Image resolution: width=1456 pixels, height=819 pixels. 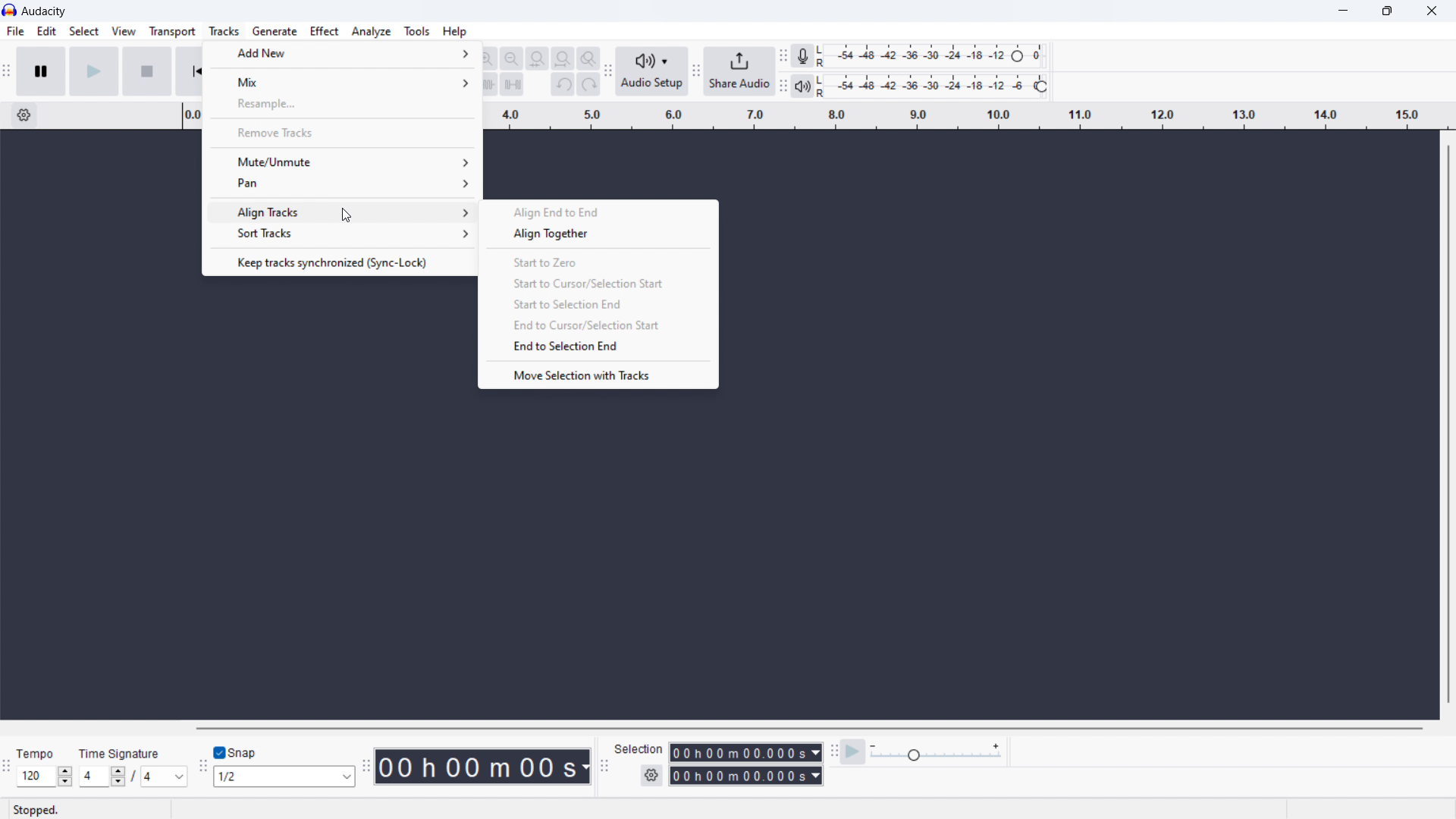 I want to click on status, so click(x=37, y=809).